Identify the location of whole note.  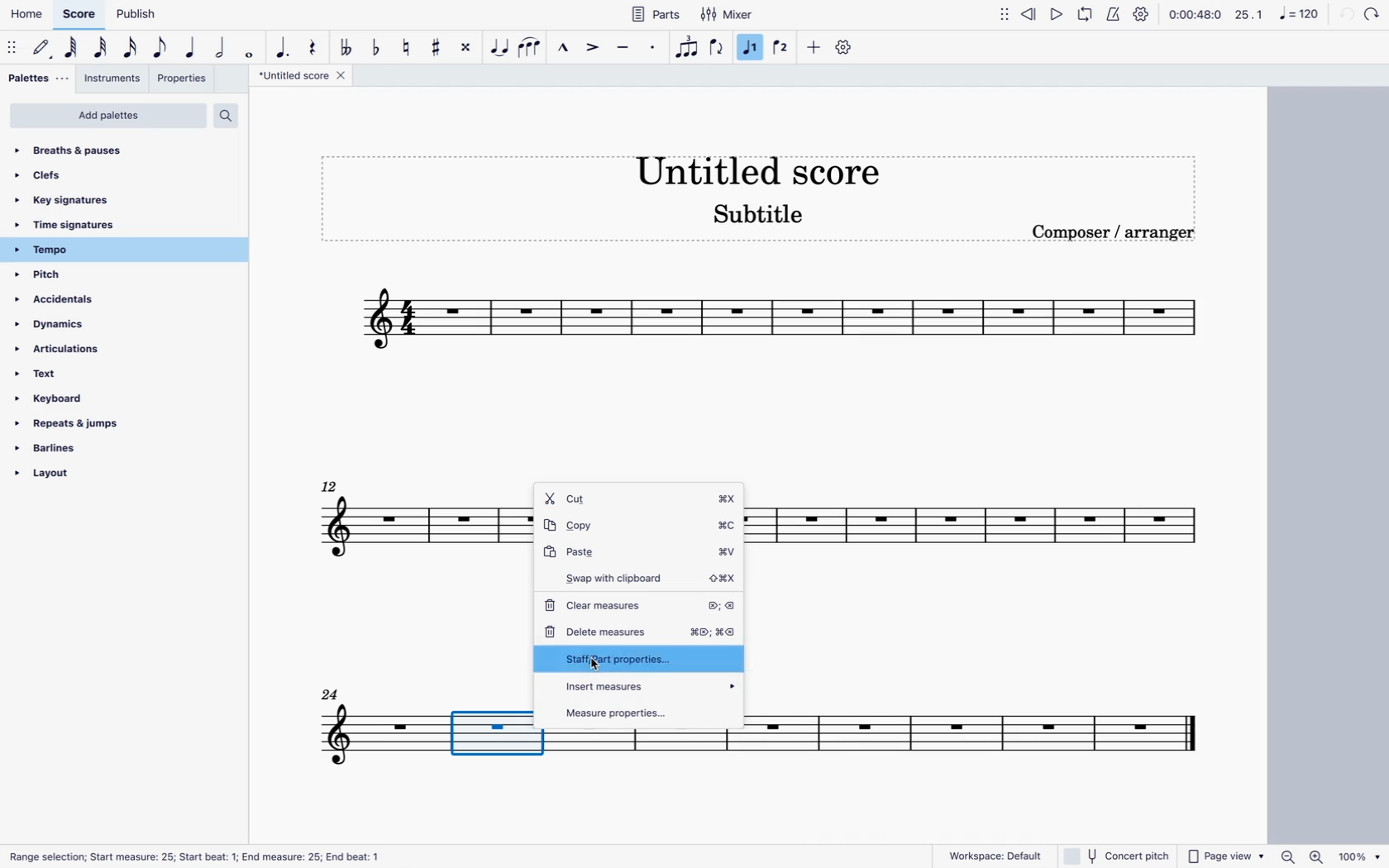
(248, 50).